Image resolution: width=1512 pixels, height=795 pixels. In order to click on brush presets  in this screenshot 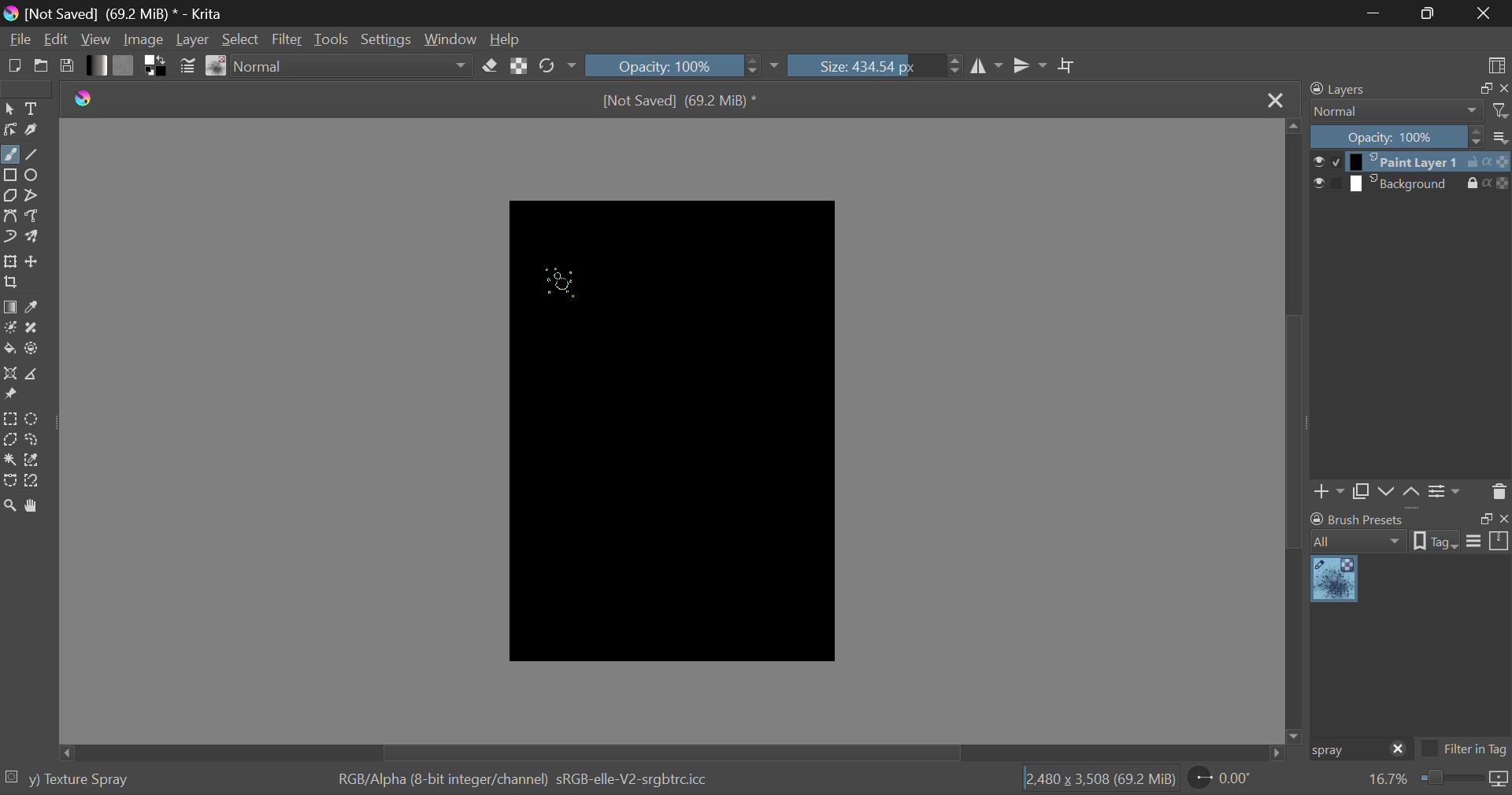, I will do `click(1358, 519)`.